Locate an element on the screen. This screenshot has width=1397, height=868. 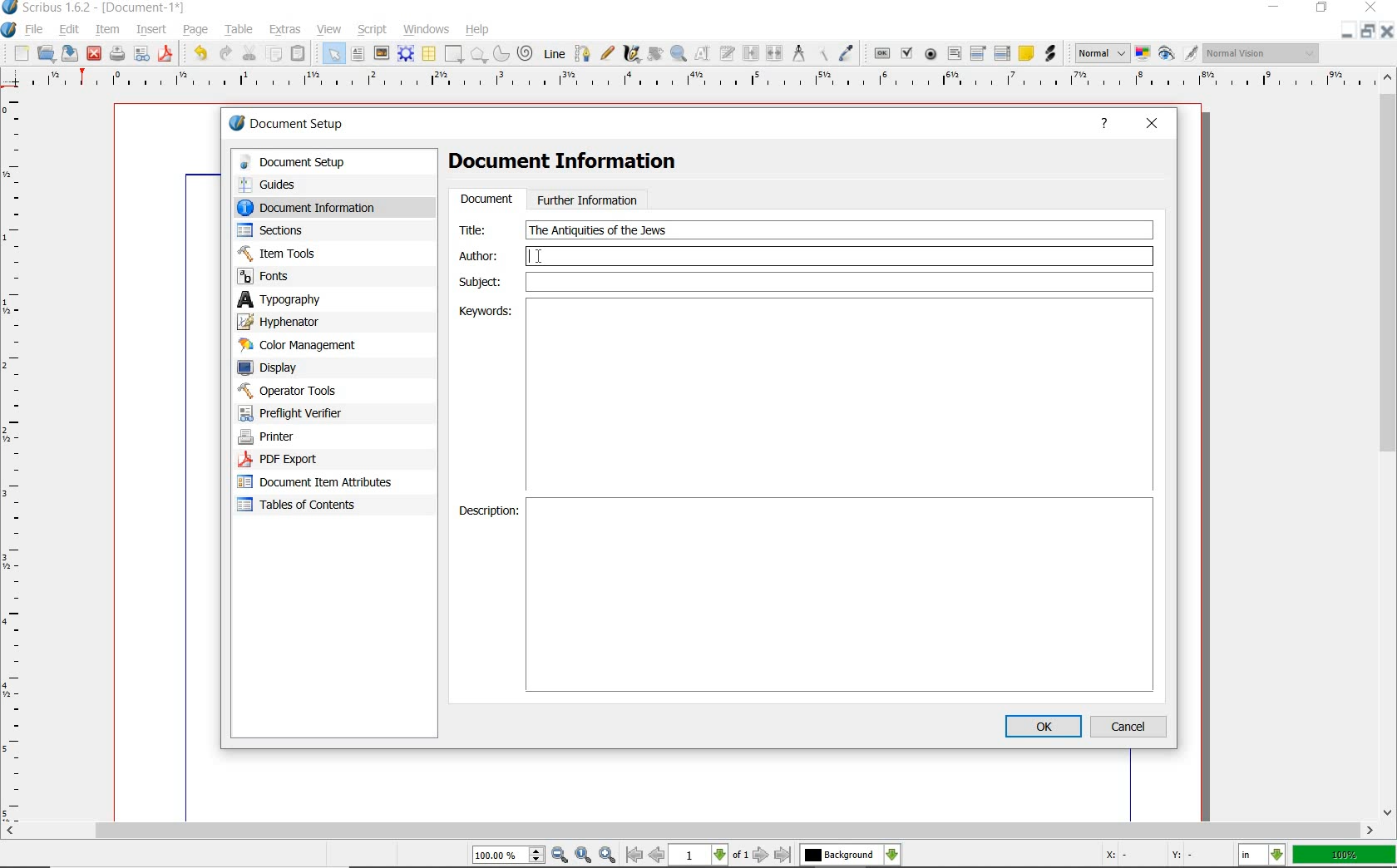
zoom factor is located at coordinates (1343, 856).